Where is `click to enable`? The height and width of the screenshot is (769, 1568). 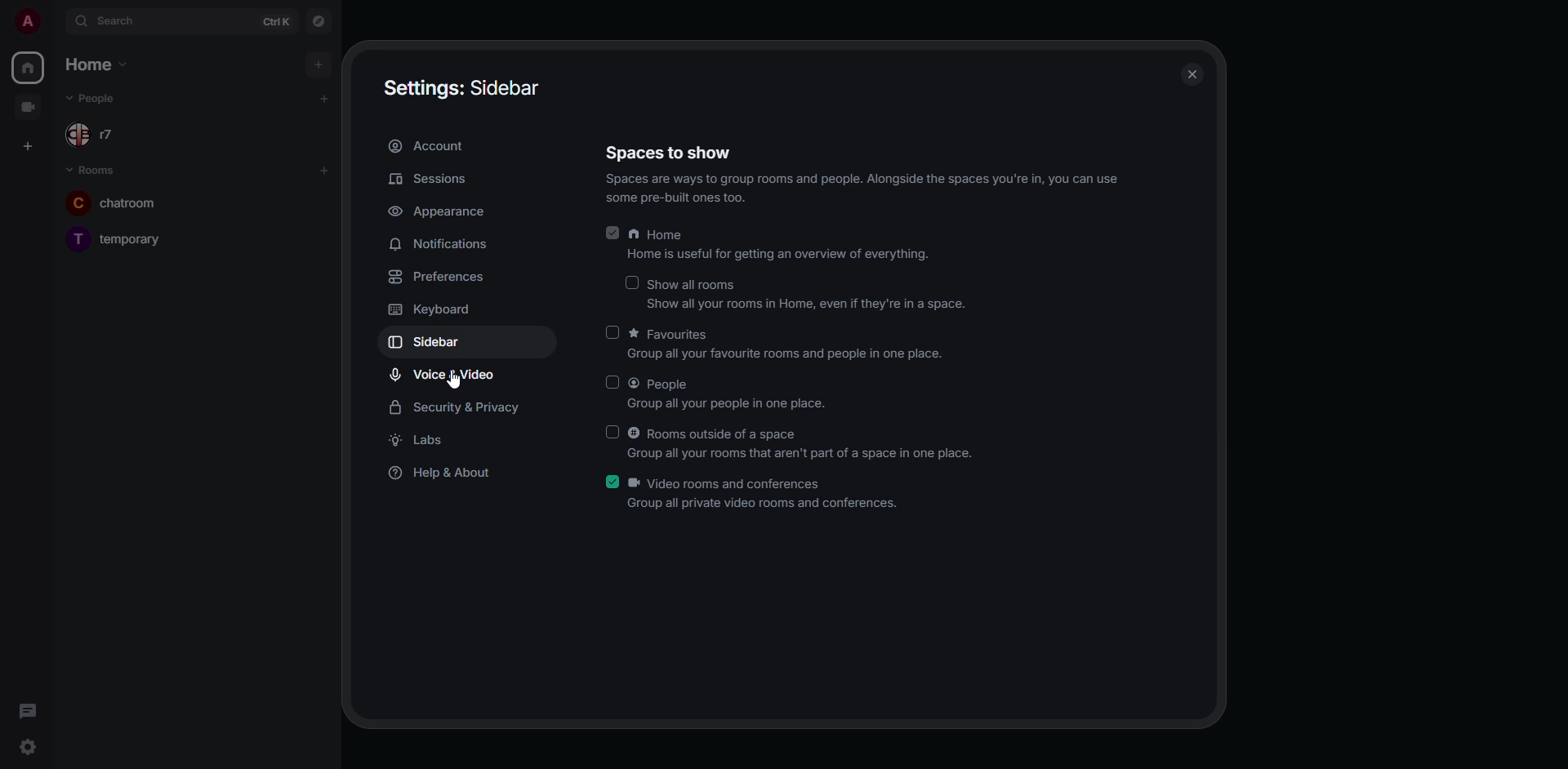
click to enable is located at coordinates (611, 332).